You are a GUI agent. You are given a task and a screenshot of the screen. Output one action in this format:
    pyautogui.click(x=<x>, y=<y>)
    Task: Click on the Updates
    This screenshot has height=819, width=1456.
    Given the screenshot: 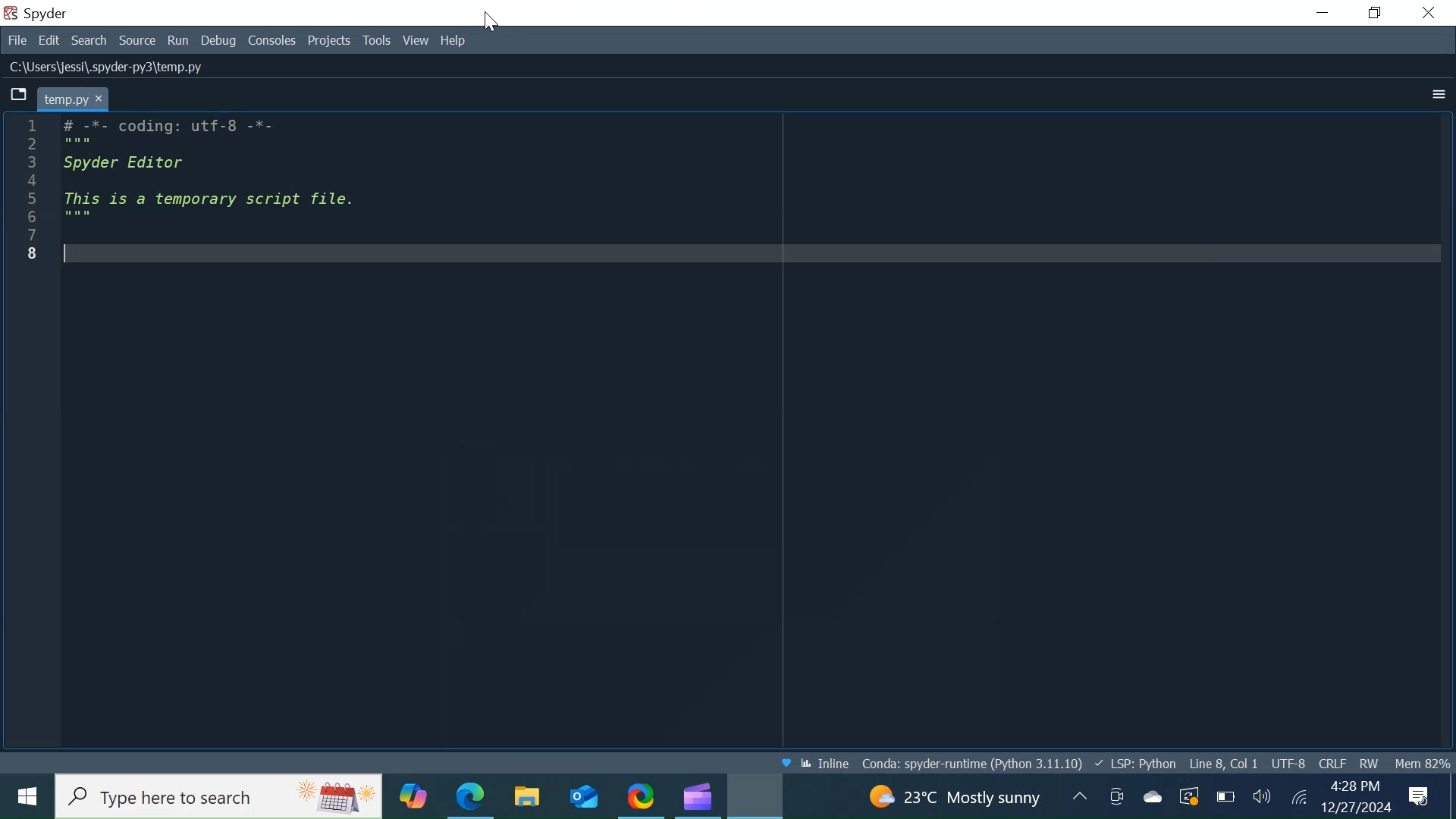 What is the action you would take?
    pyautogui.click(x=1079, y=797)
    